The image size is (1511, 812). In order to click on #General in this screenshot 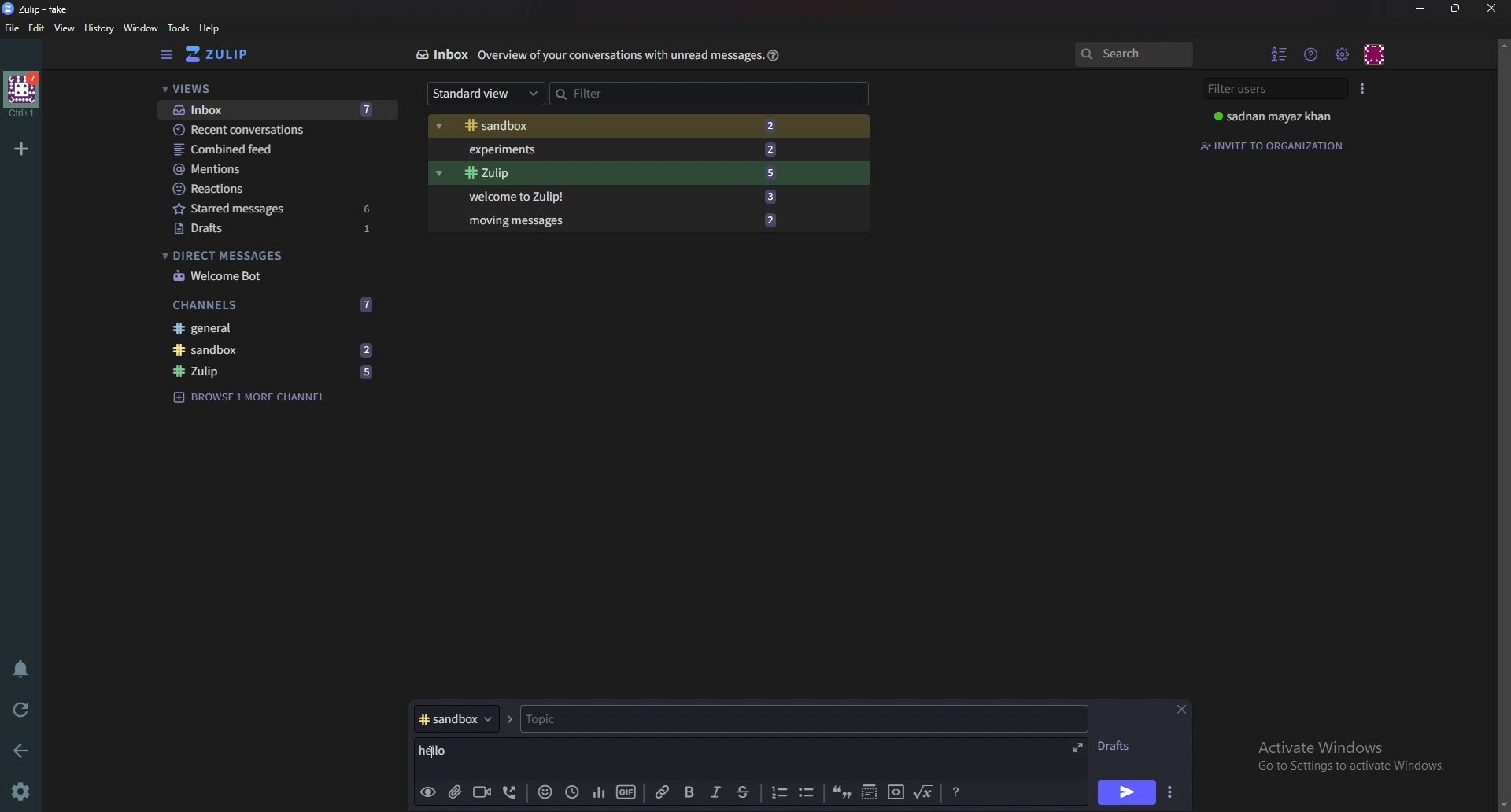, I will do `click(272, 328)`.